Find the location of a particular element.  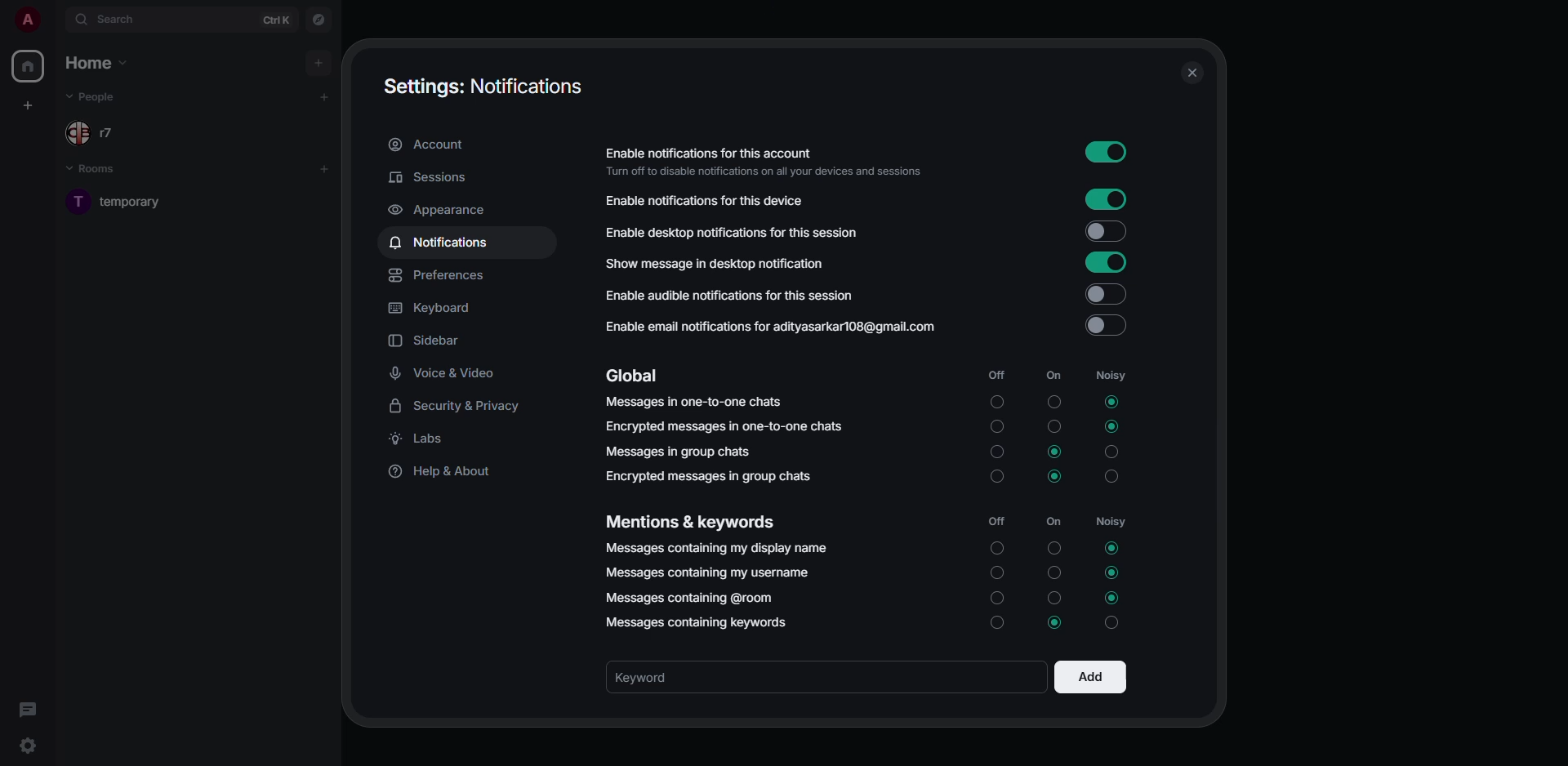

keyword is located at coordinates (658, 677).